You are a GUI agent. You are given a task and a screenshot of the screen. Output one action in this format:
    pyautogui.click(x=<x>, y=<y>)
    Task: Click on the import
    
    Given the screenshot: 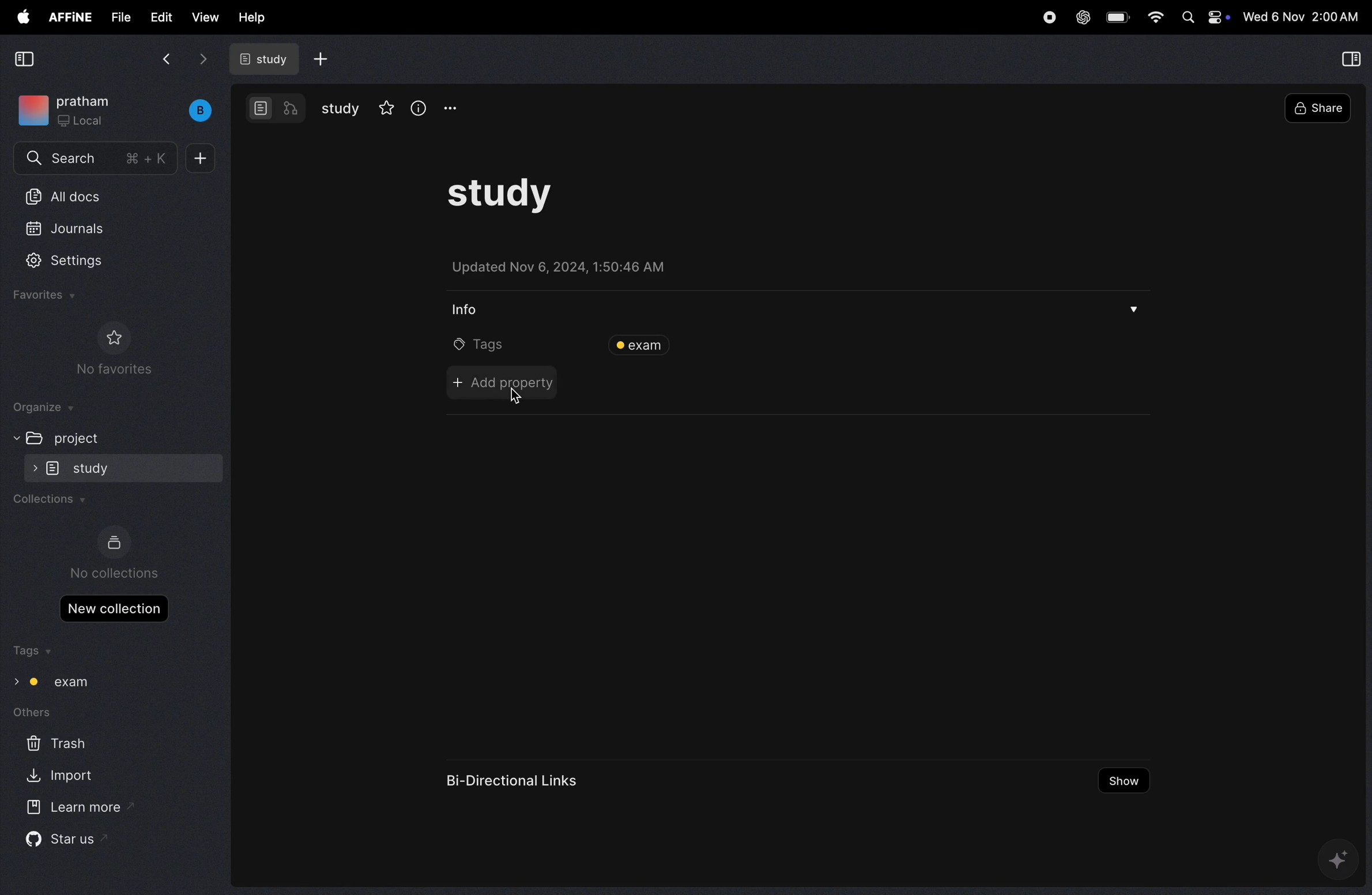 What is the action you would take?
    pyautogui.click(x=61, y=776)
    